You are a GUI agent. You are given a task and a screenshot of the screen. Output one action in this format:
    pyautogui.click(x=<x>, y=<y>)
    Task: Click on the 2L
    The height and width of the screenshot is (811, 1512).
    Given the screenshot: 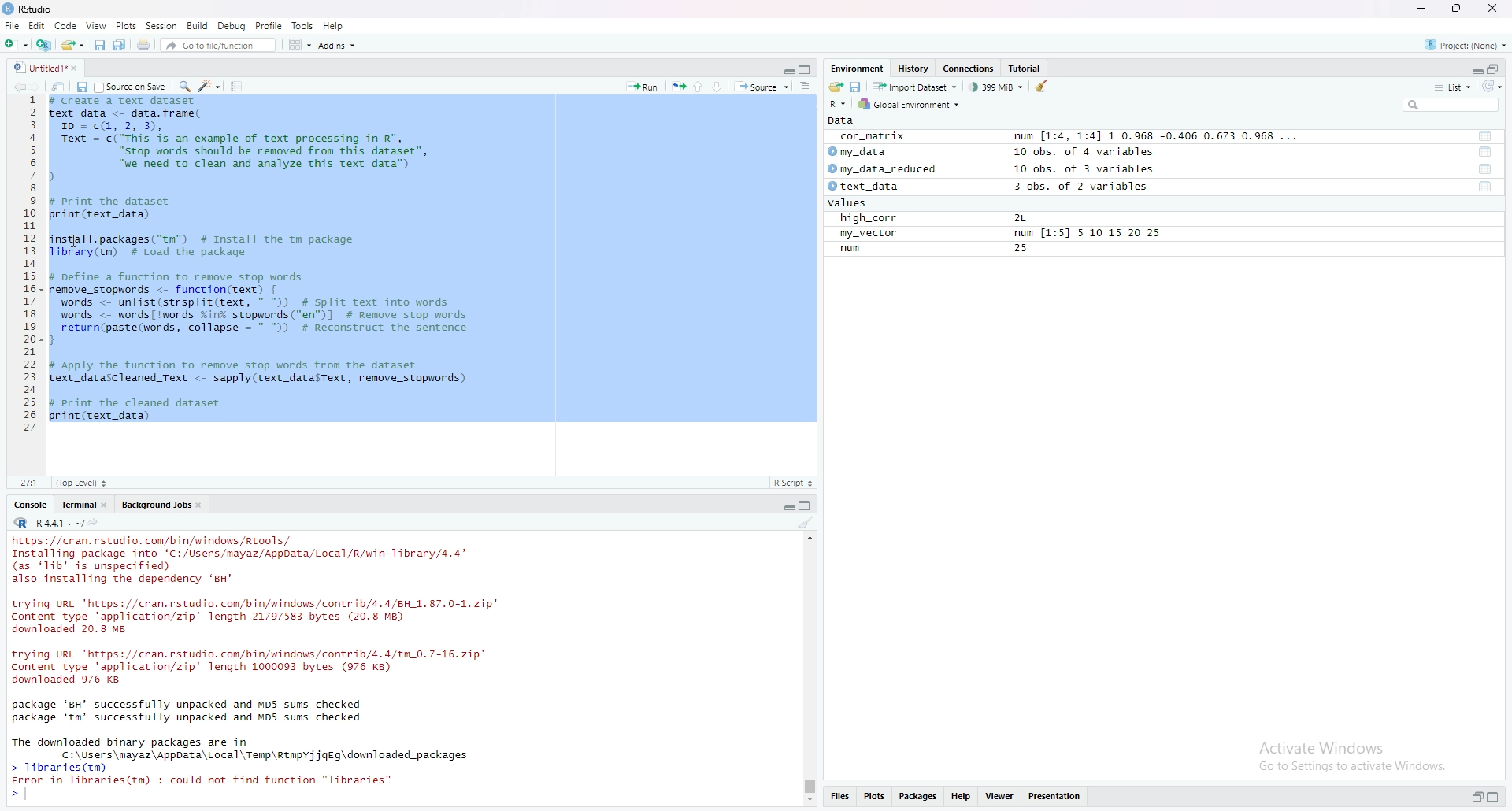 What is the action you would take?
    pyautogui.click(x=1020, y=218)
    